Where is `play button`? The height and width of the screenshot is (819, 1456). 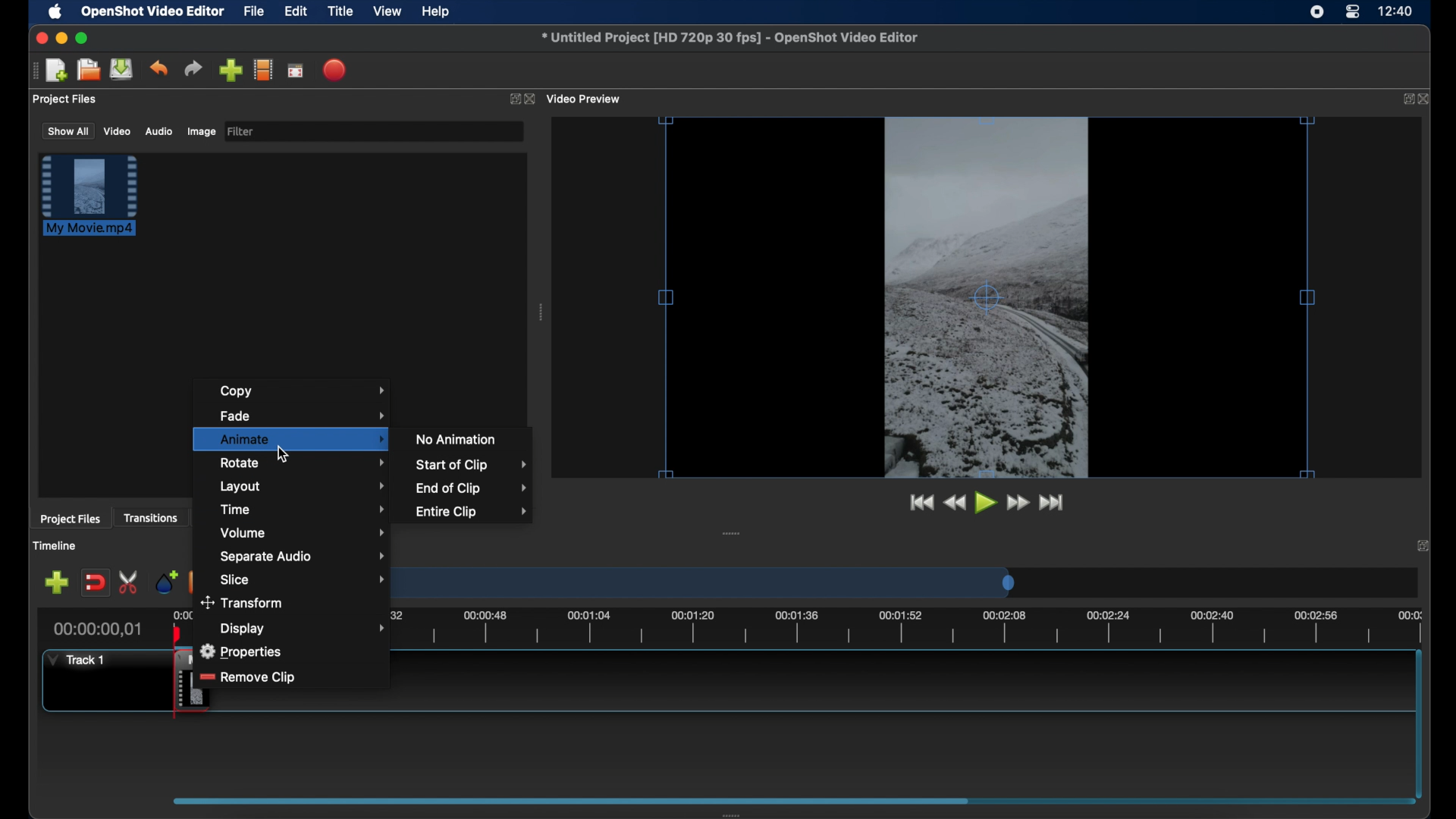
play button is located at coordinates (987, 504).